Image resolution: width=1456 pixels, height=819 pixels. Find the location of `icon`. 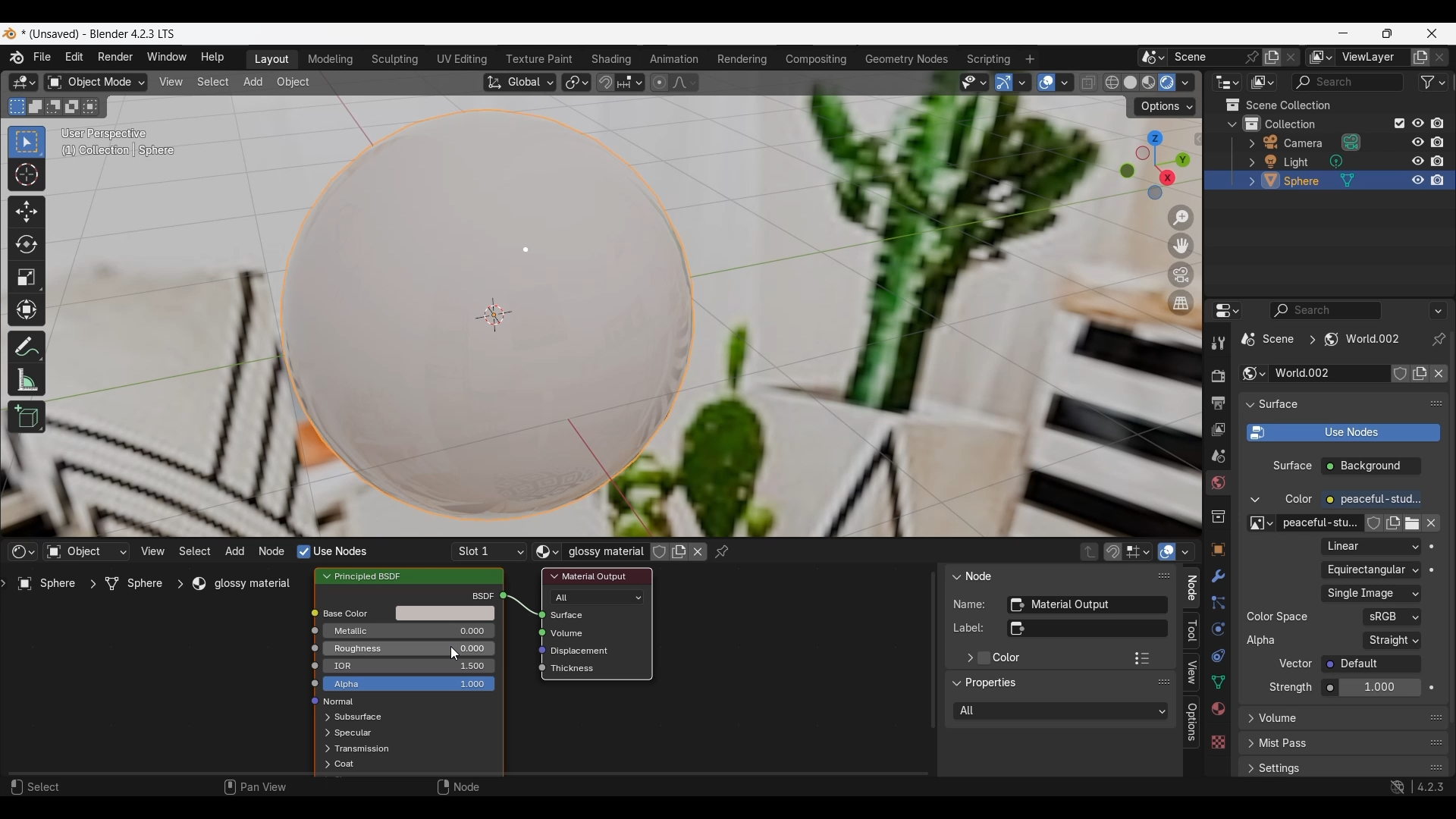

icon is located at coordinates (532, 632).